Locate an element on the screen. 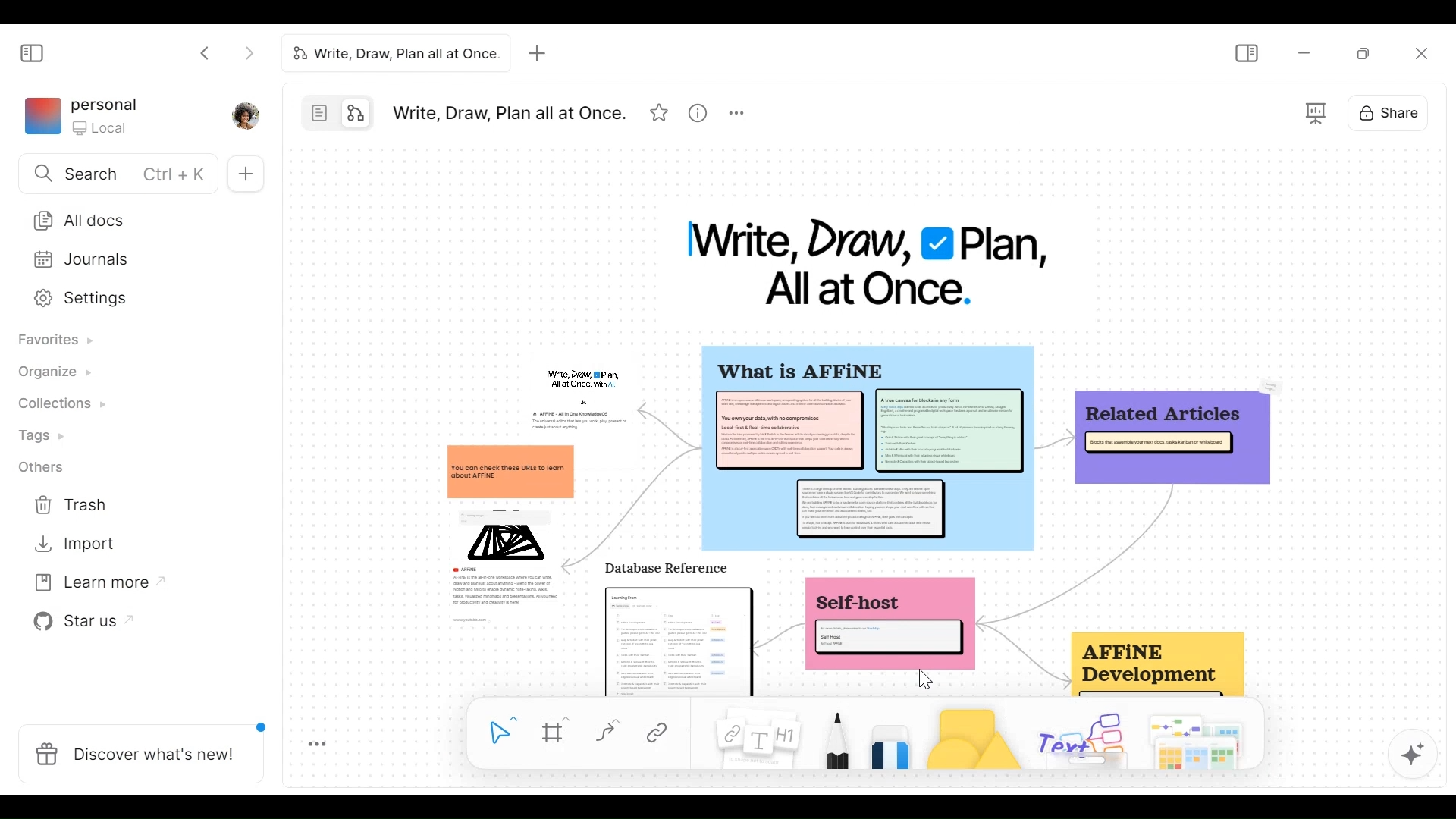  All documents is located at coordinates (135, 218).